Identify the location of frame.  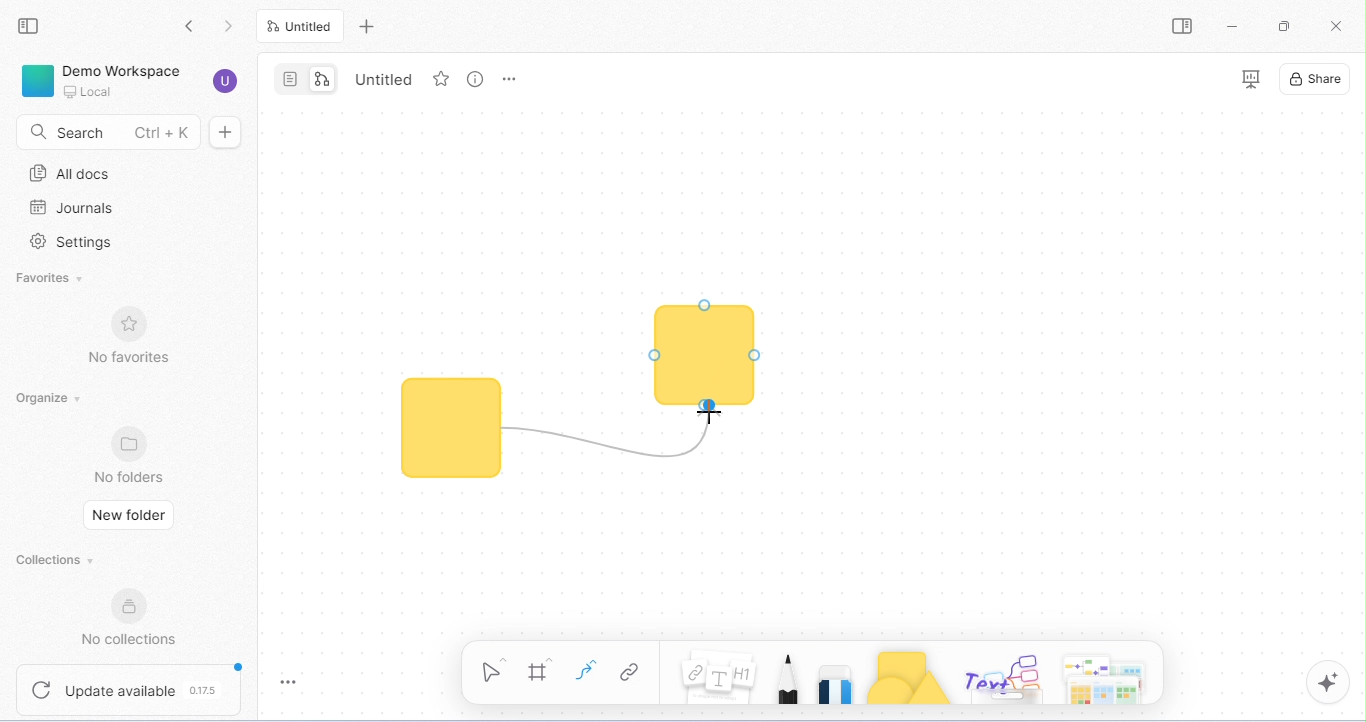
(543, 671).